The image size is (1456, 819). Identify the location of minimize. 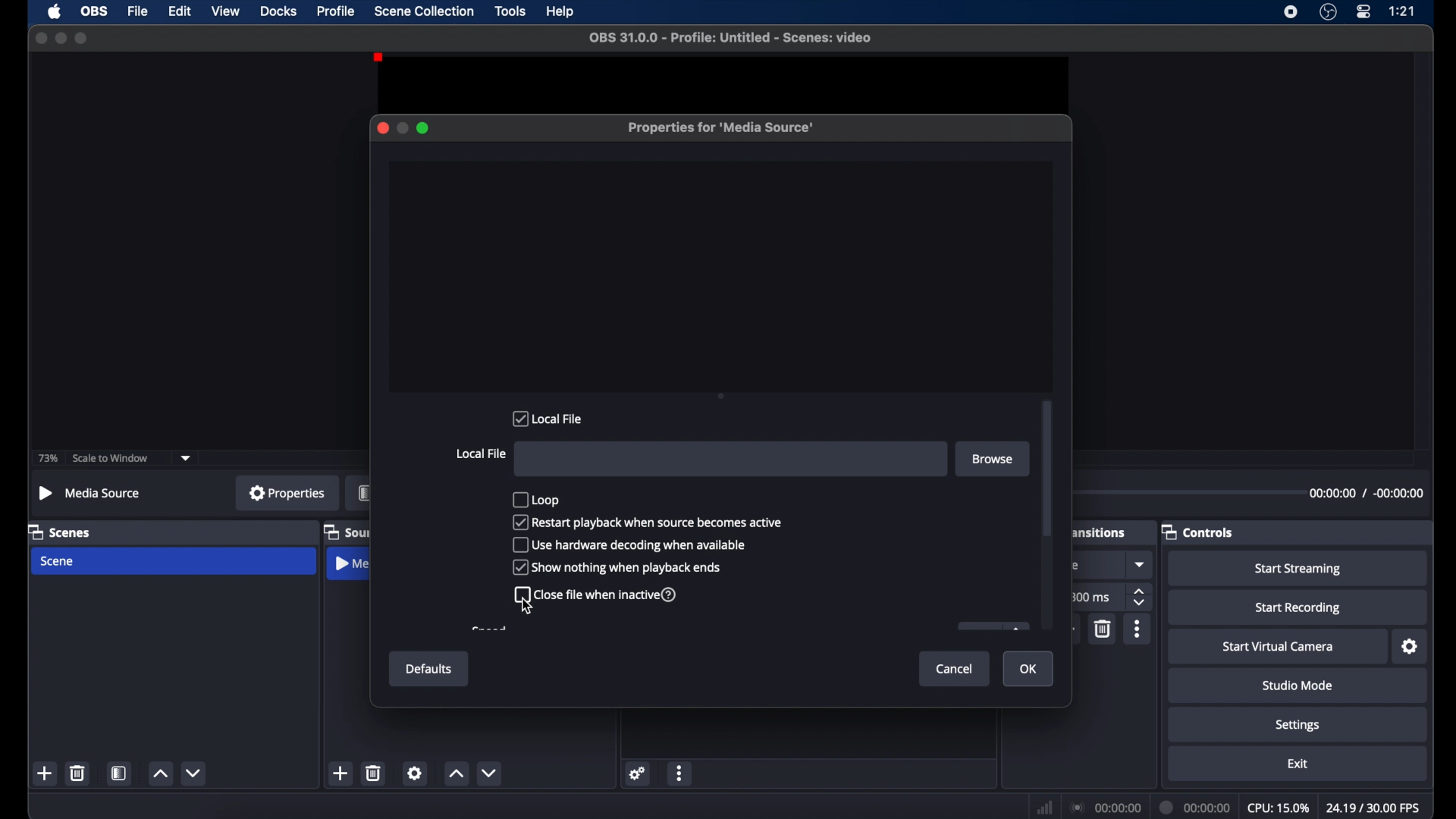
(60, 38).